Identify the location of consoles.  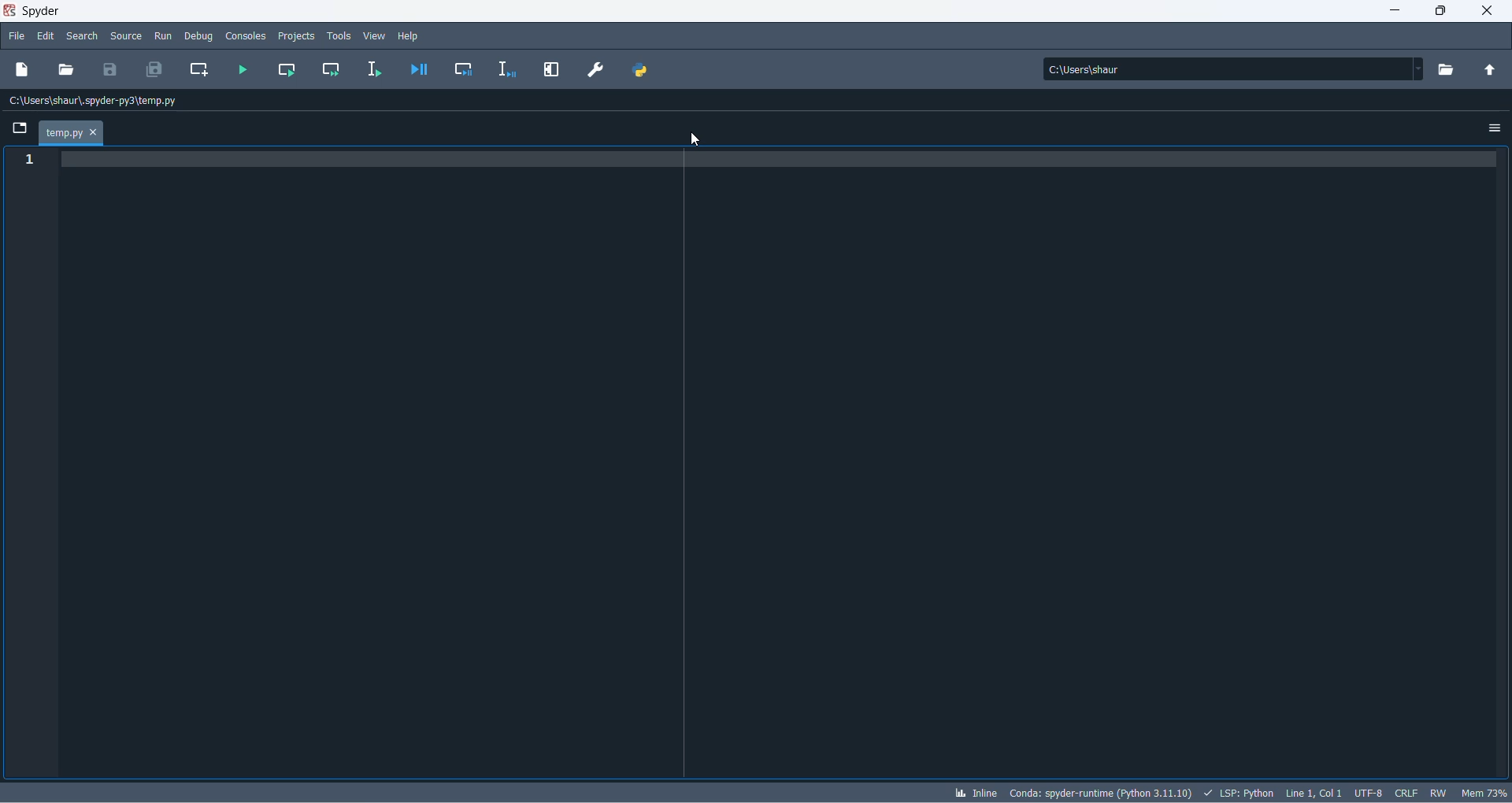
(246, 35).